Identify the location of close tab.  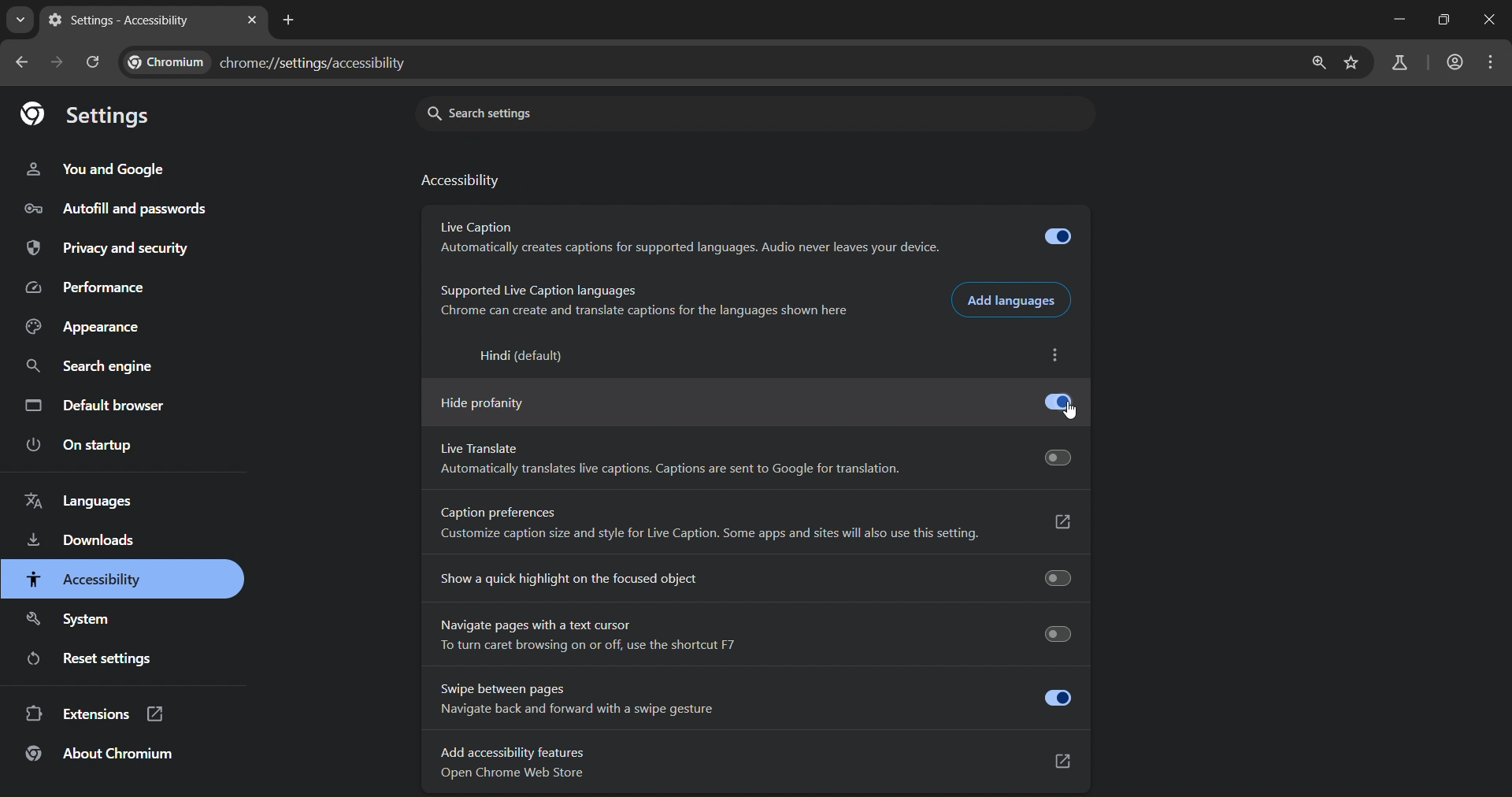
(251, 20).